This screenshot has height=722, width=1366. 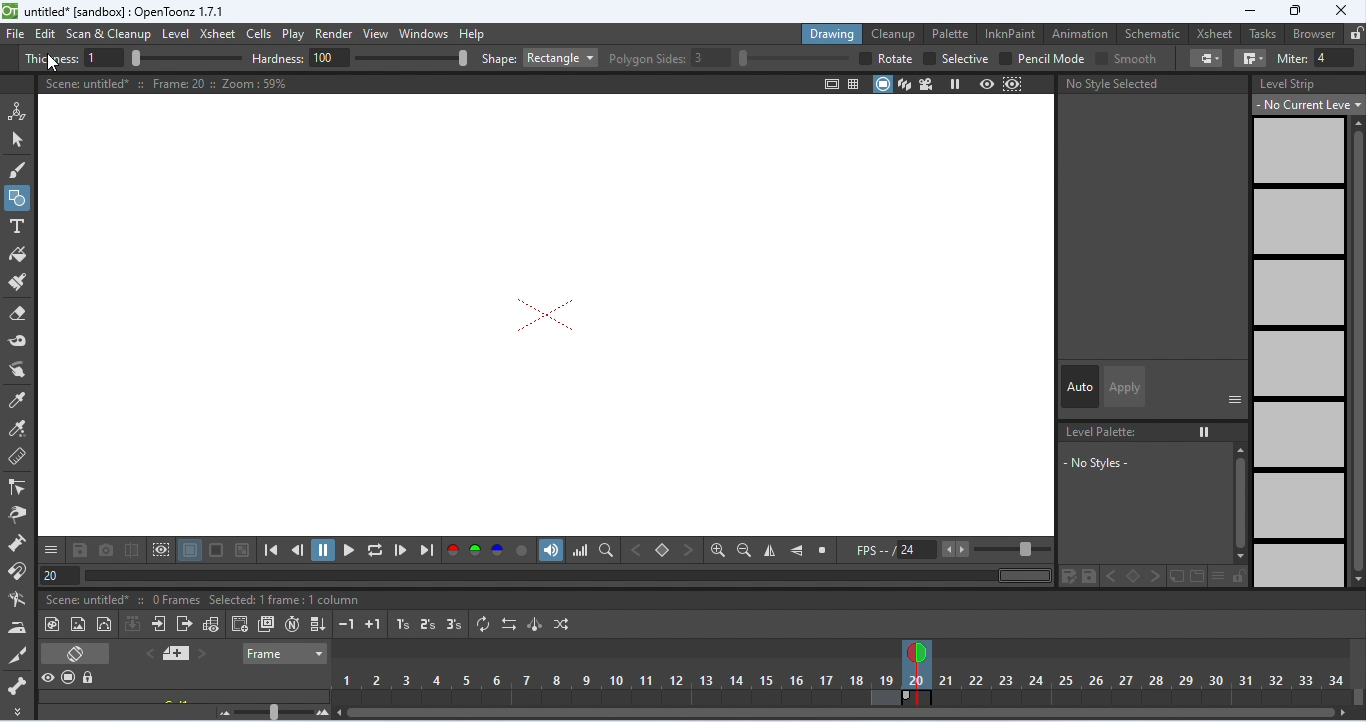 What do you see at coordinates (830, 85) in the screenshot?
I see `safe area ` at bounding box center [830, 85].